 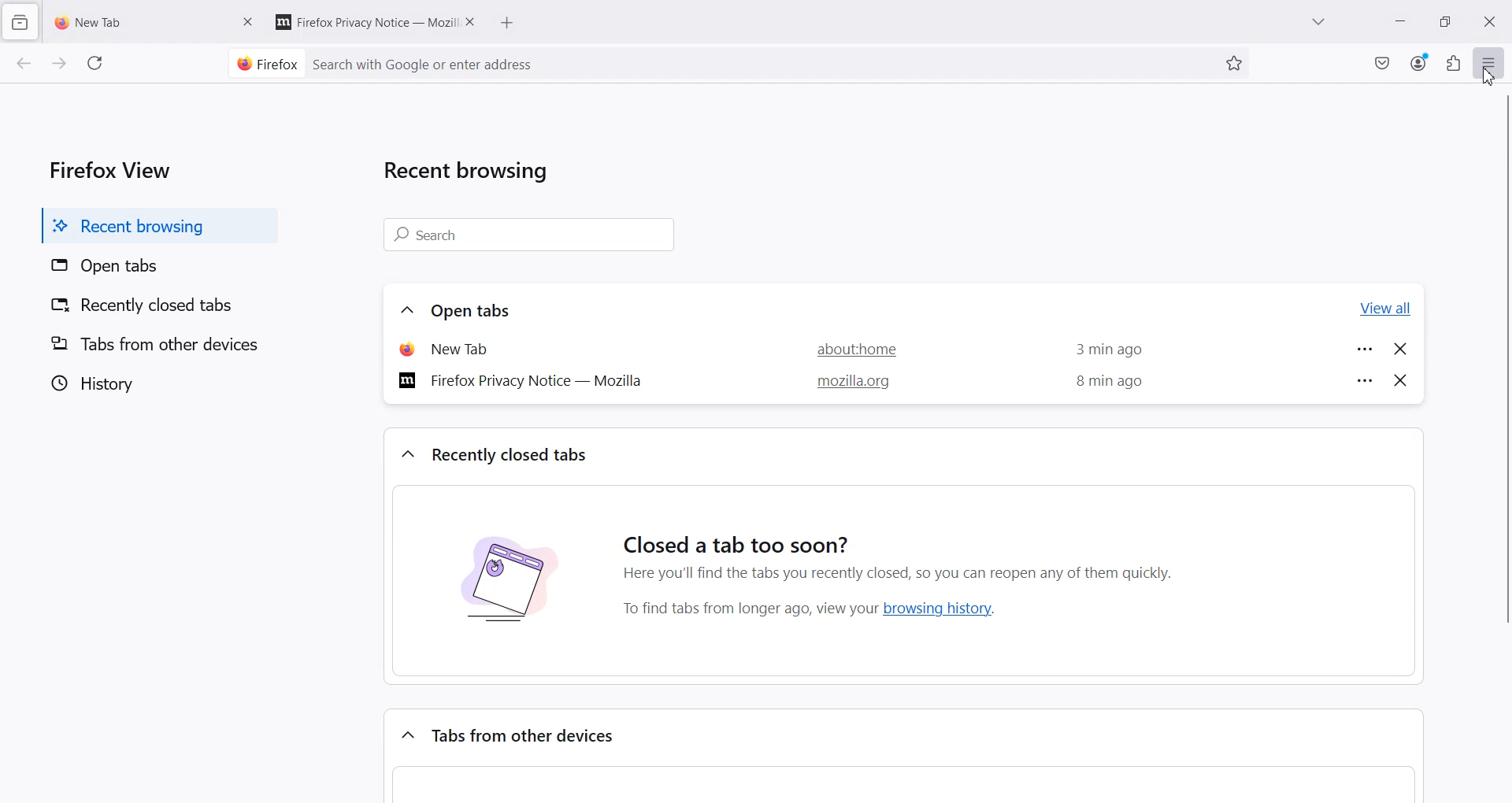 I want to click on Settings, so click(x=1366, y=379).